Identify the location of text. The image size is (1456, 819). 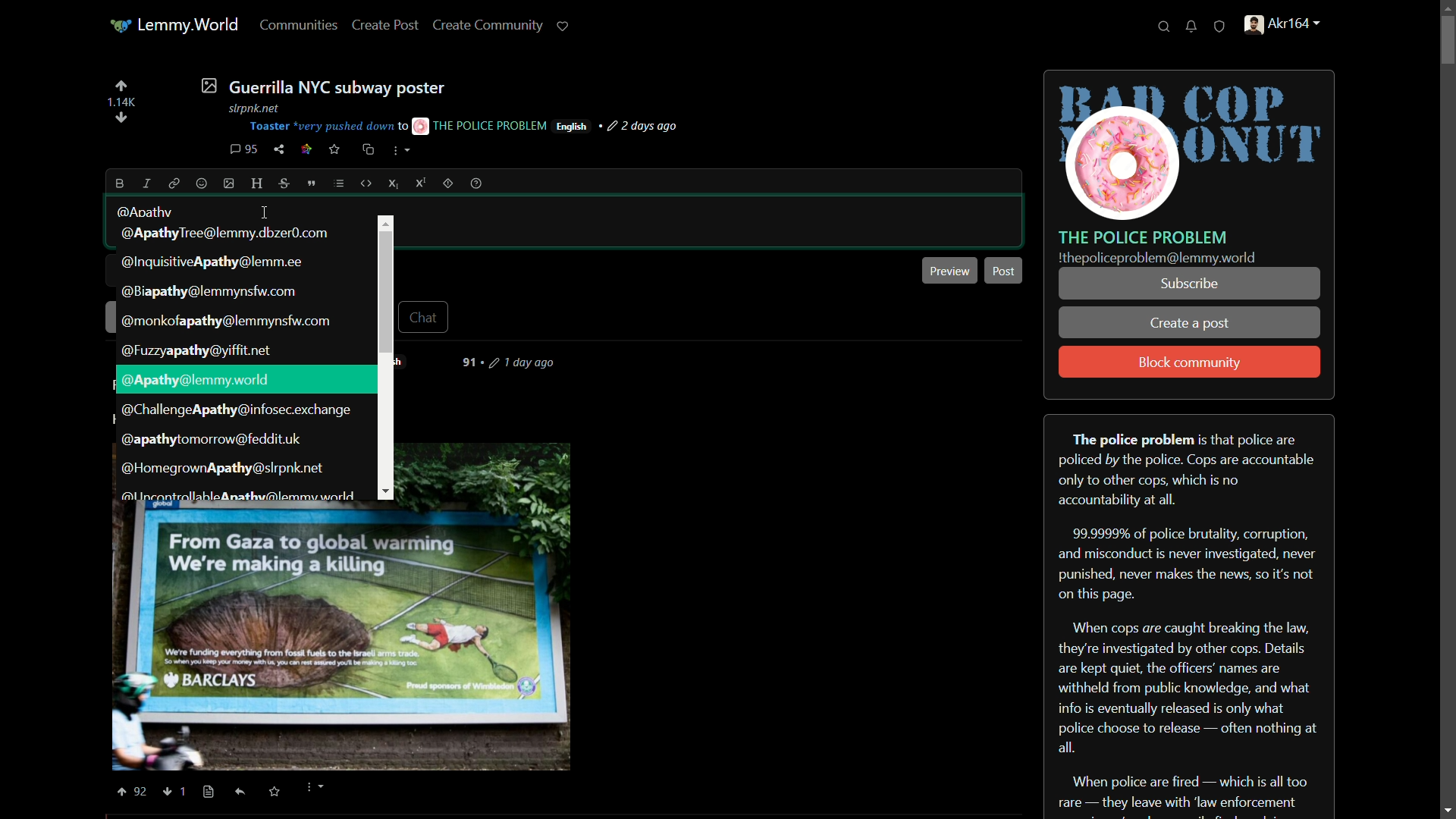
(1157, 259).